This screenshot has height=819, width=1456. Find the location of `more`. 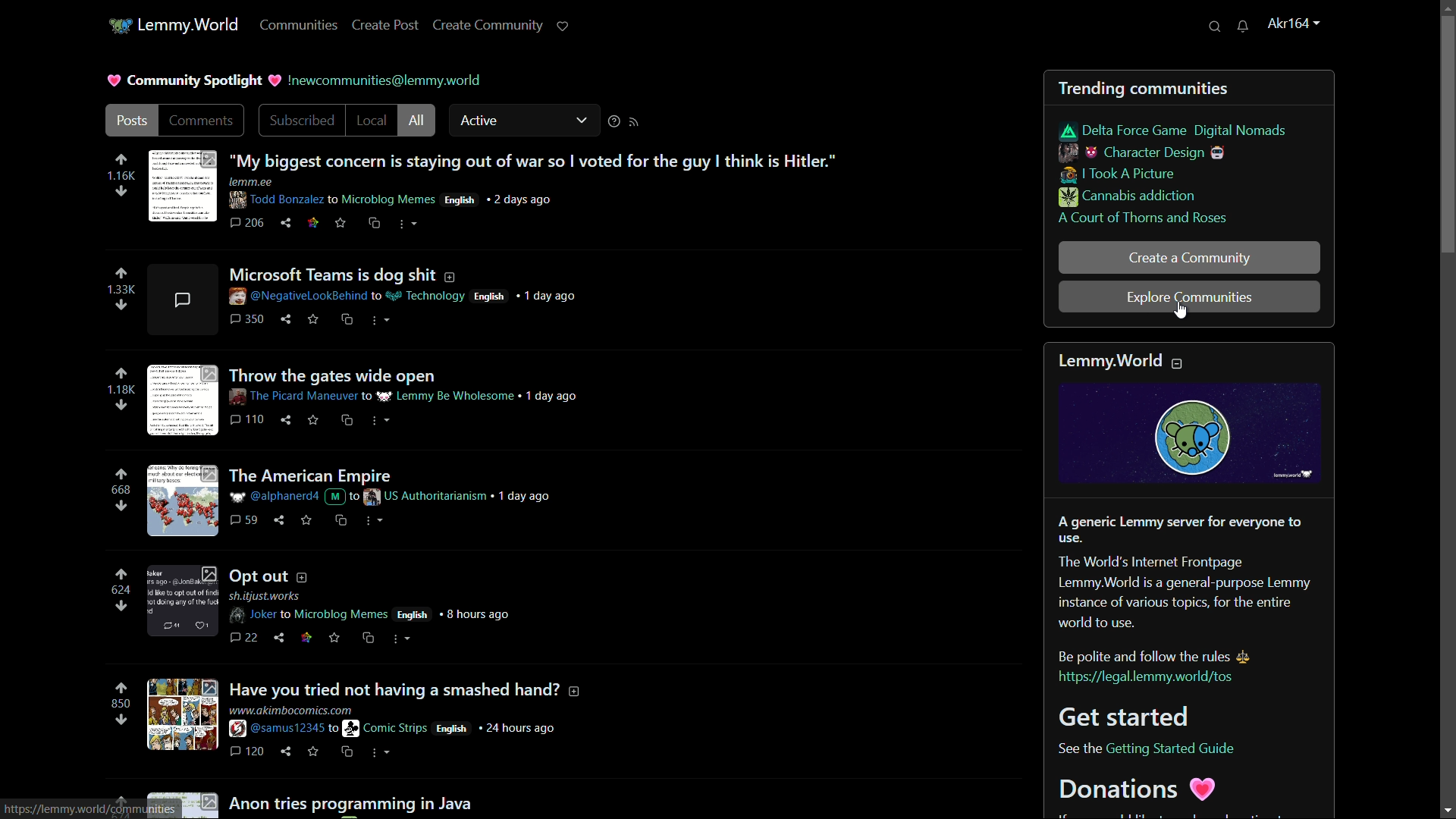

more is located at coordinates (381, 322).